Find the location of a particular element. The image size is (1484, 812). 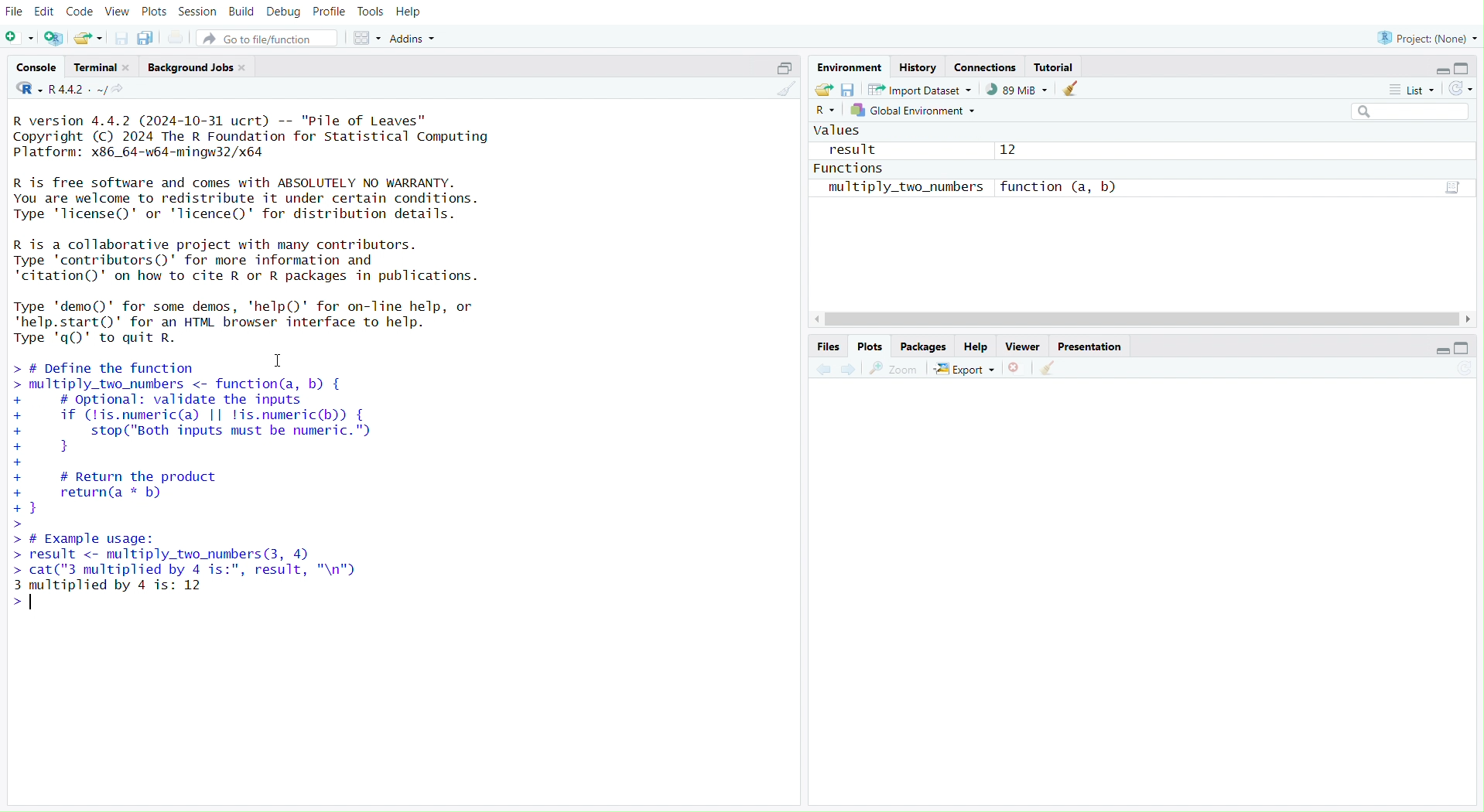

Clear console (Ctrl +L) is located at coordinates (1075, 88).